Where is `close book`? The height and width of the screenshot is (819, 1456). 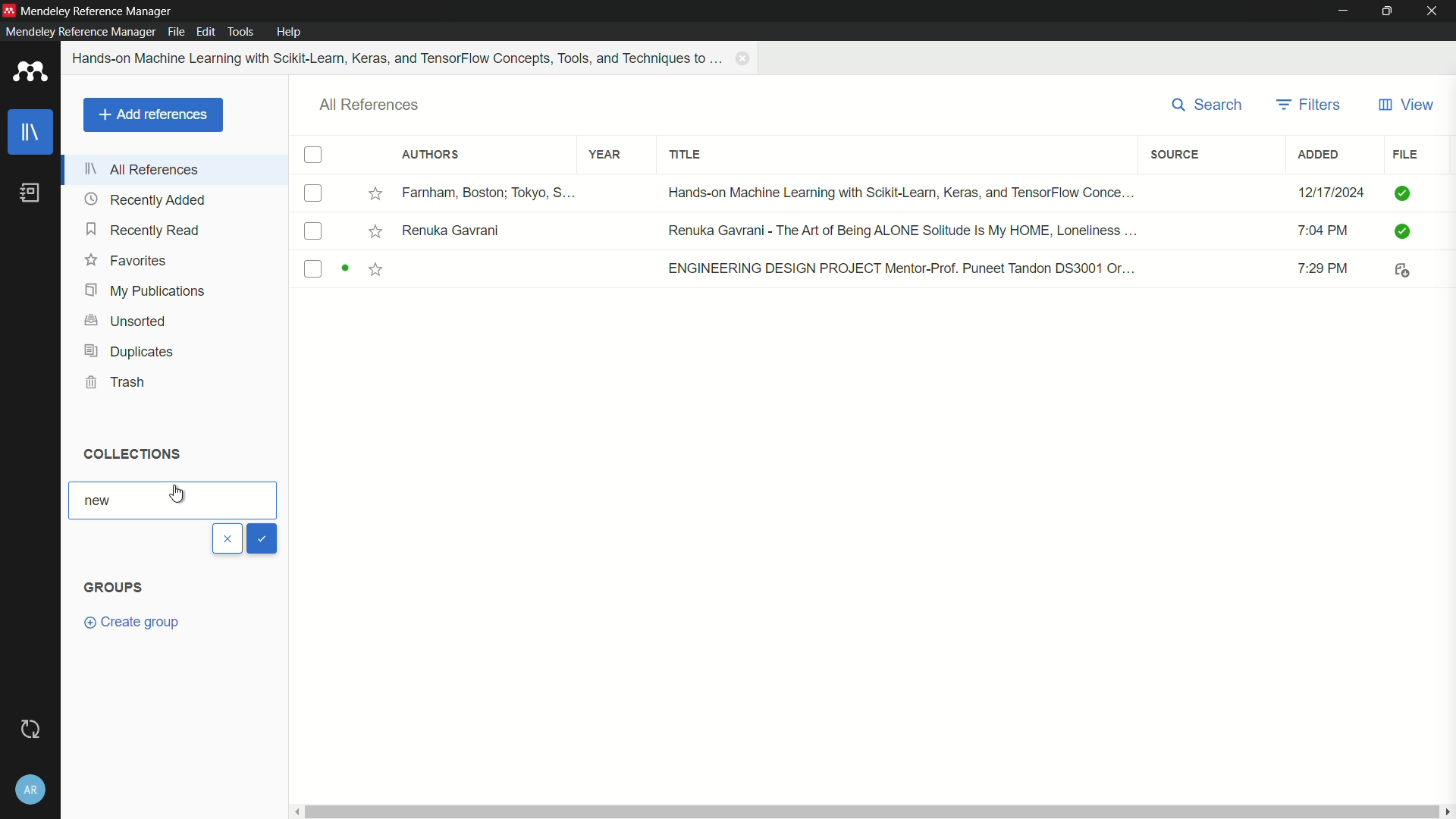 close book is located at coordinates (745, 58).